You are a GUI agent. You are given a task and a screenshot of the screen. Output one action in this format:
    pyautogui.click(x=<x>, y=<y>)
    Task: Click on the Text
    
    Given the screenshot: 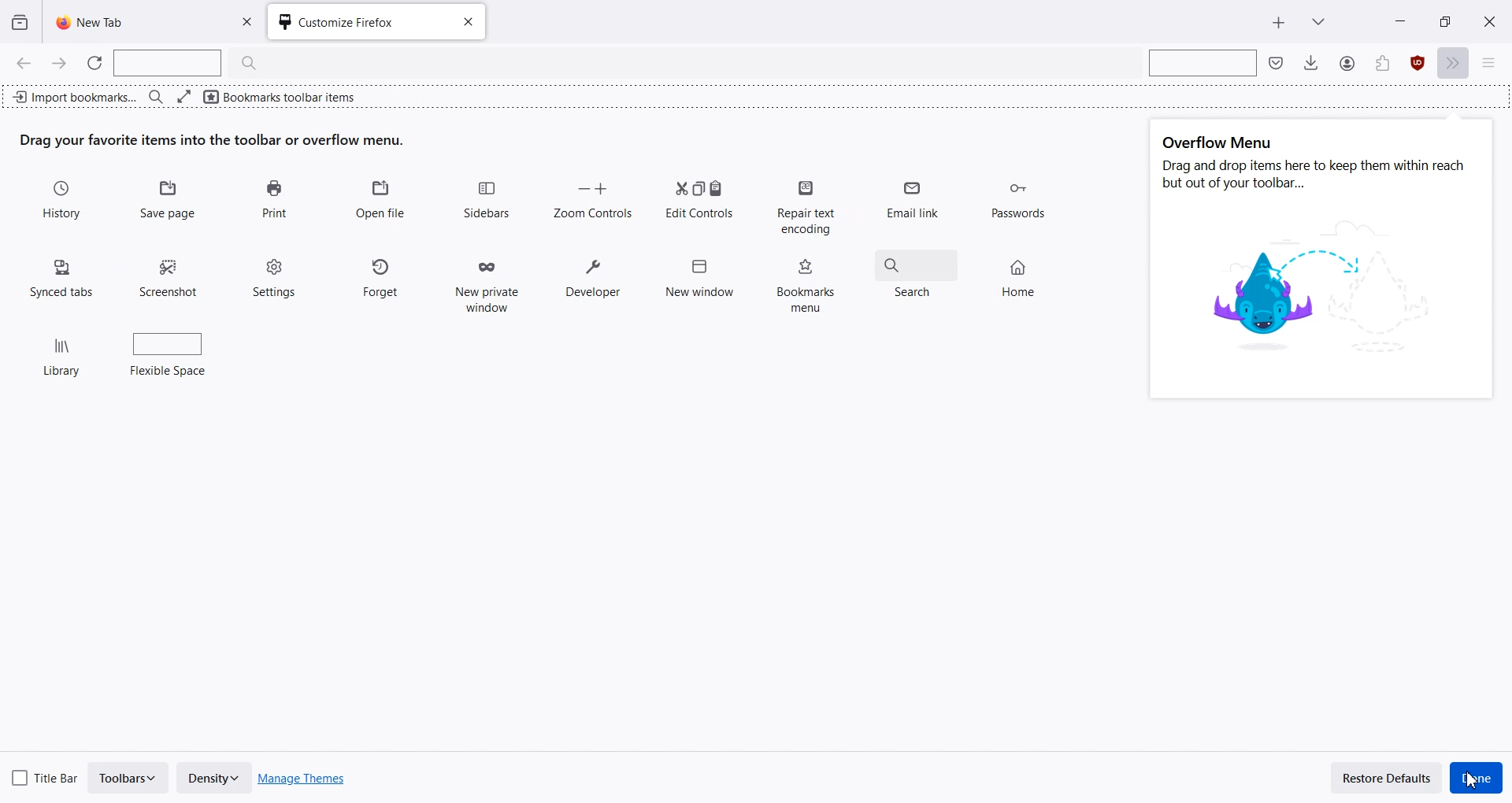 What is the action you would take?
    pyautogui.click(x=213, y=140)
    